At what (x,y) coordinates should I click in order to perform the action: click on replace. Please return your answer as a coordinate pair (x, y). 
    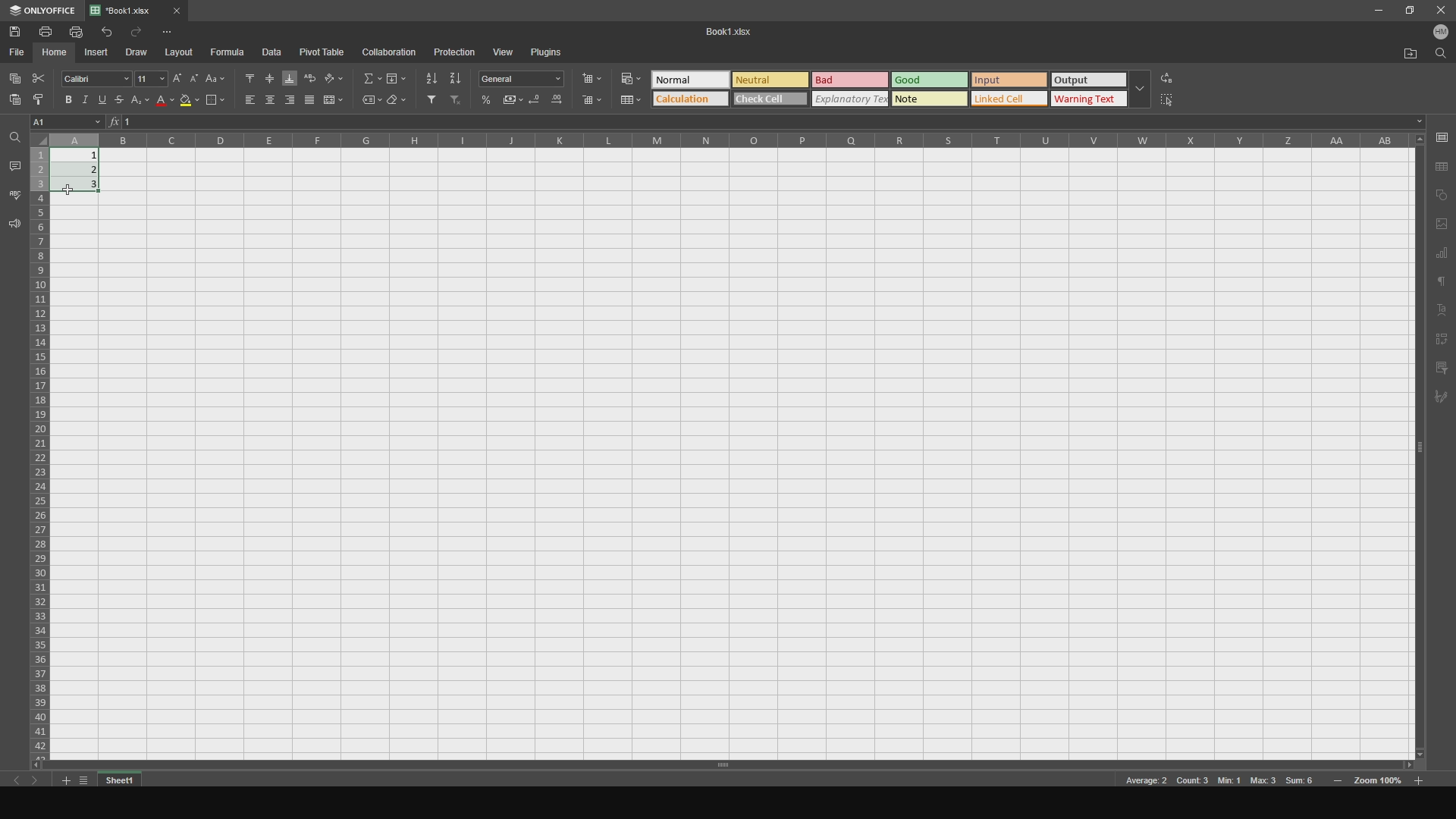
    Looking at the image, I should click on (1178, 75).